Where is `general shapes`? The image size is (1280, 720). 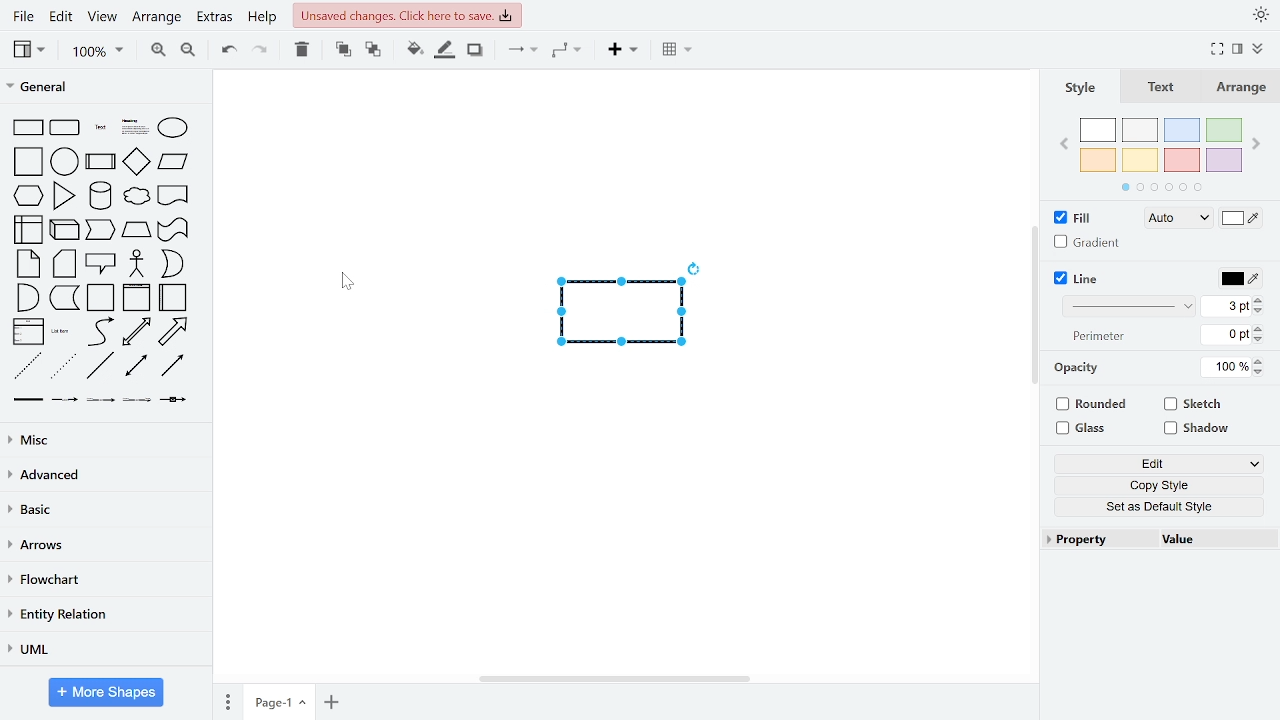 general shapes is located at coordinates (135, 263).